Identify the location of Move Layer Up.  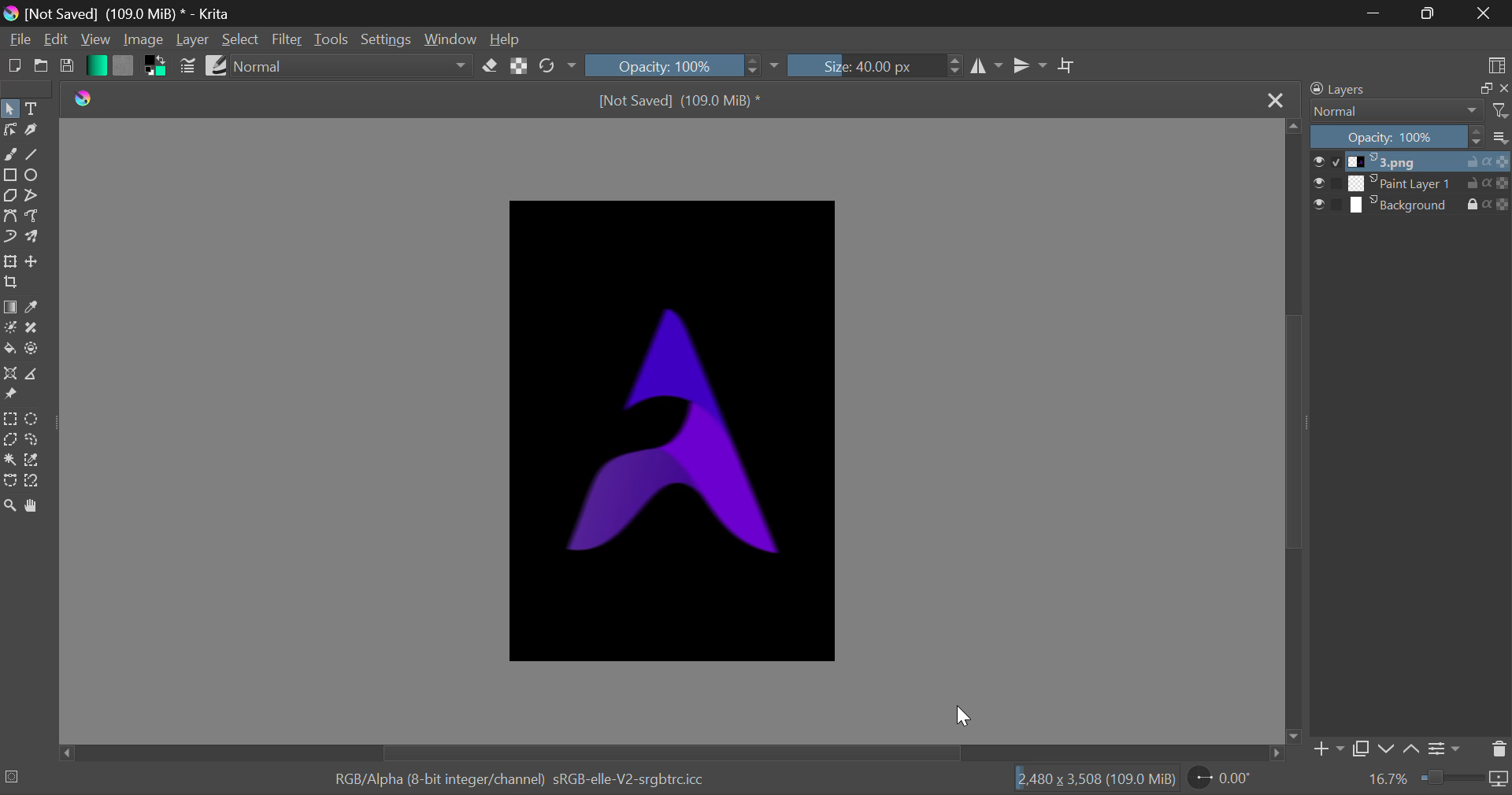
(1413, 746).